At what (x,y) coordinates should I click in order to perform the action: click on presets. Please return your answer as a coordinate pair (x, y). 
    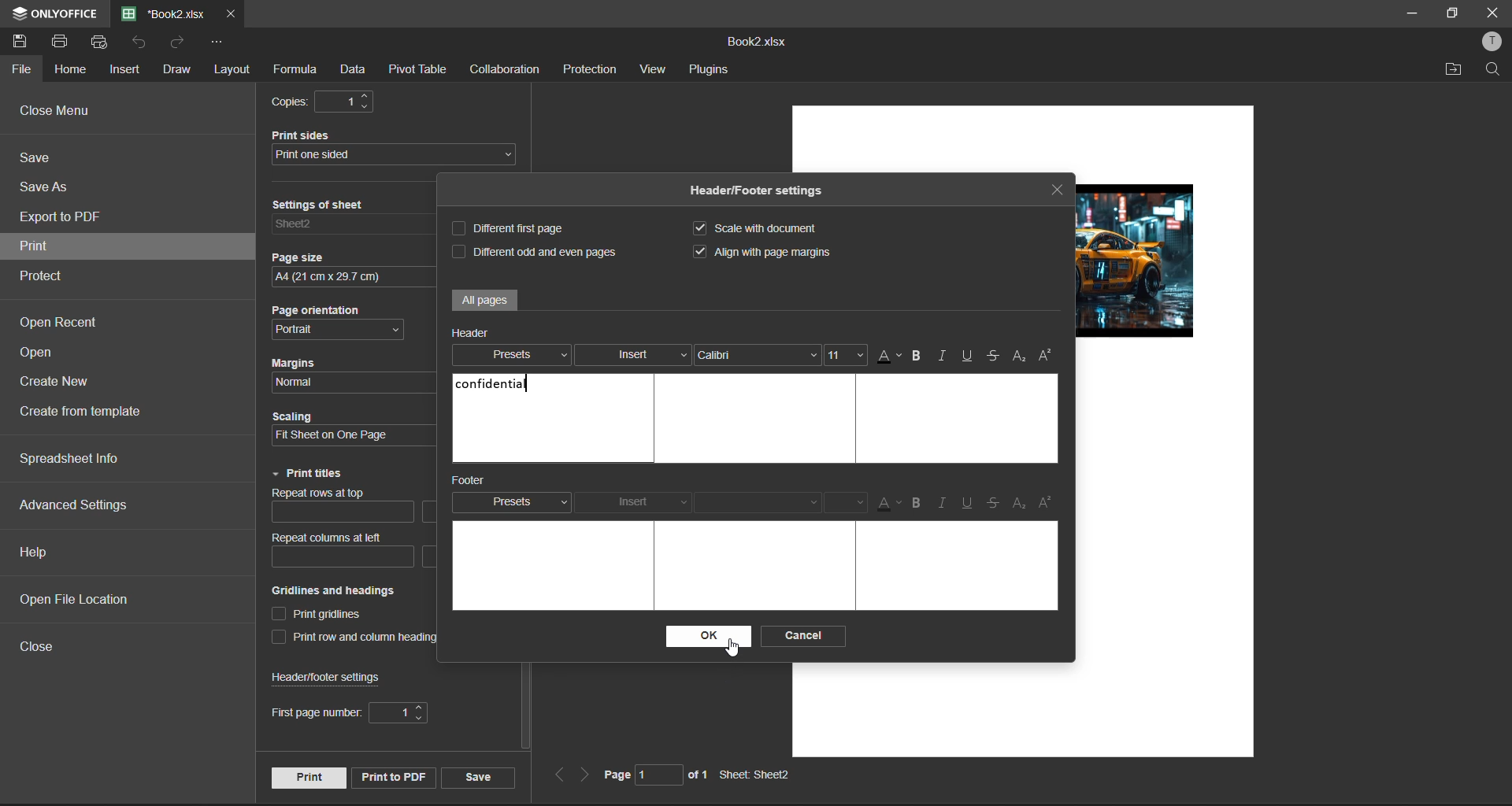
    Looking at the image, I should click on (516, 355).